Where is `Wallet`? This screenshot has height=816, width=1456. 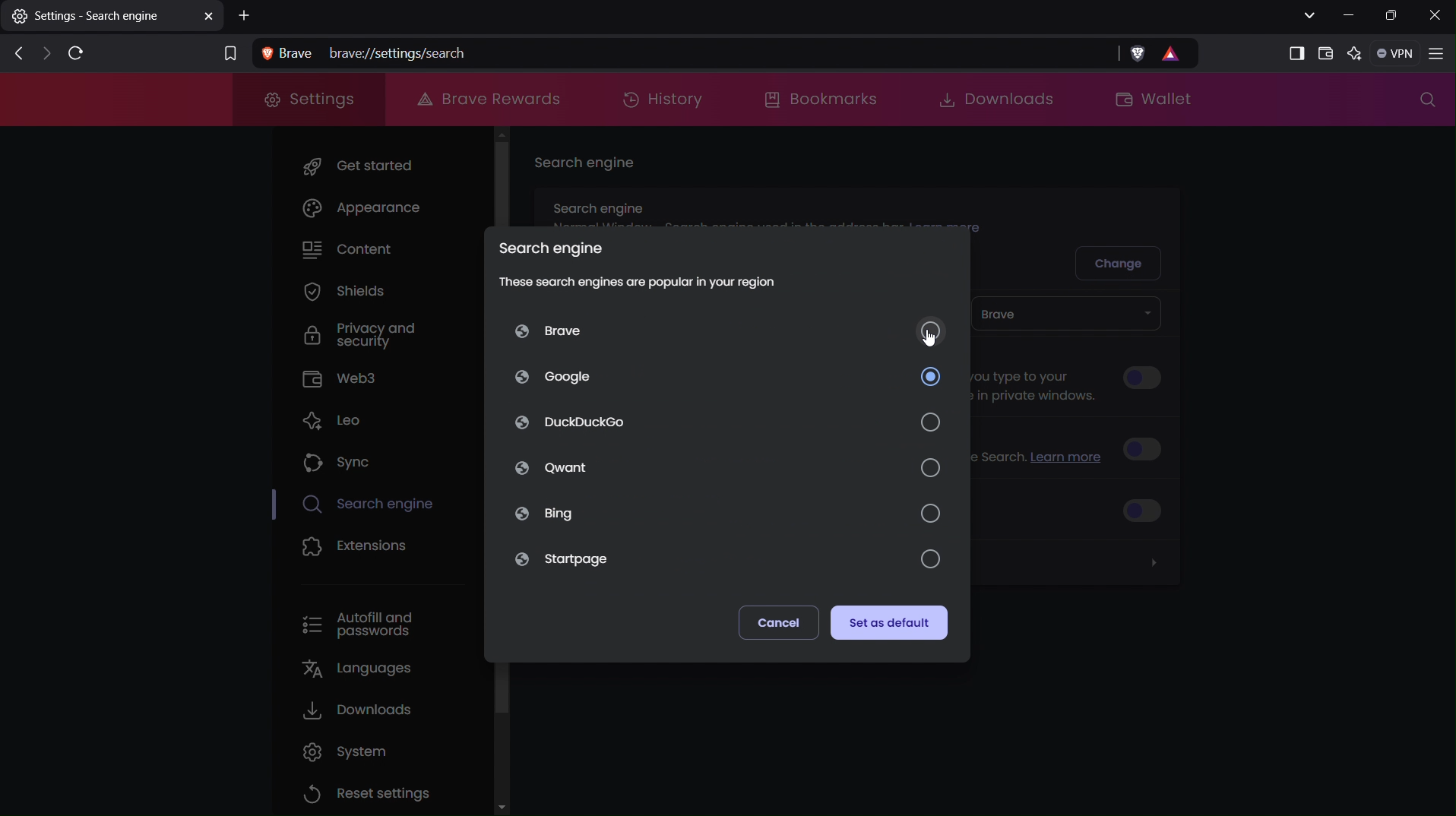
Wallet is located at coordinates (1326, 53).